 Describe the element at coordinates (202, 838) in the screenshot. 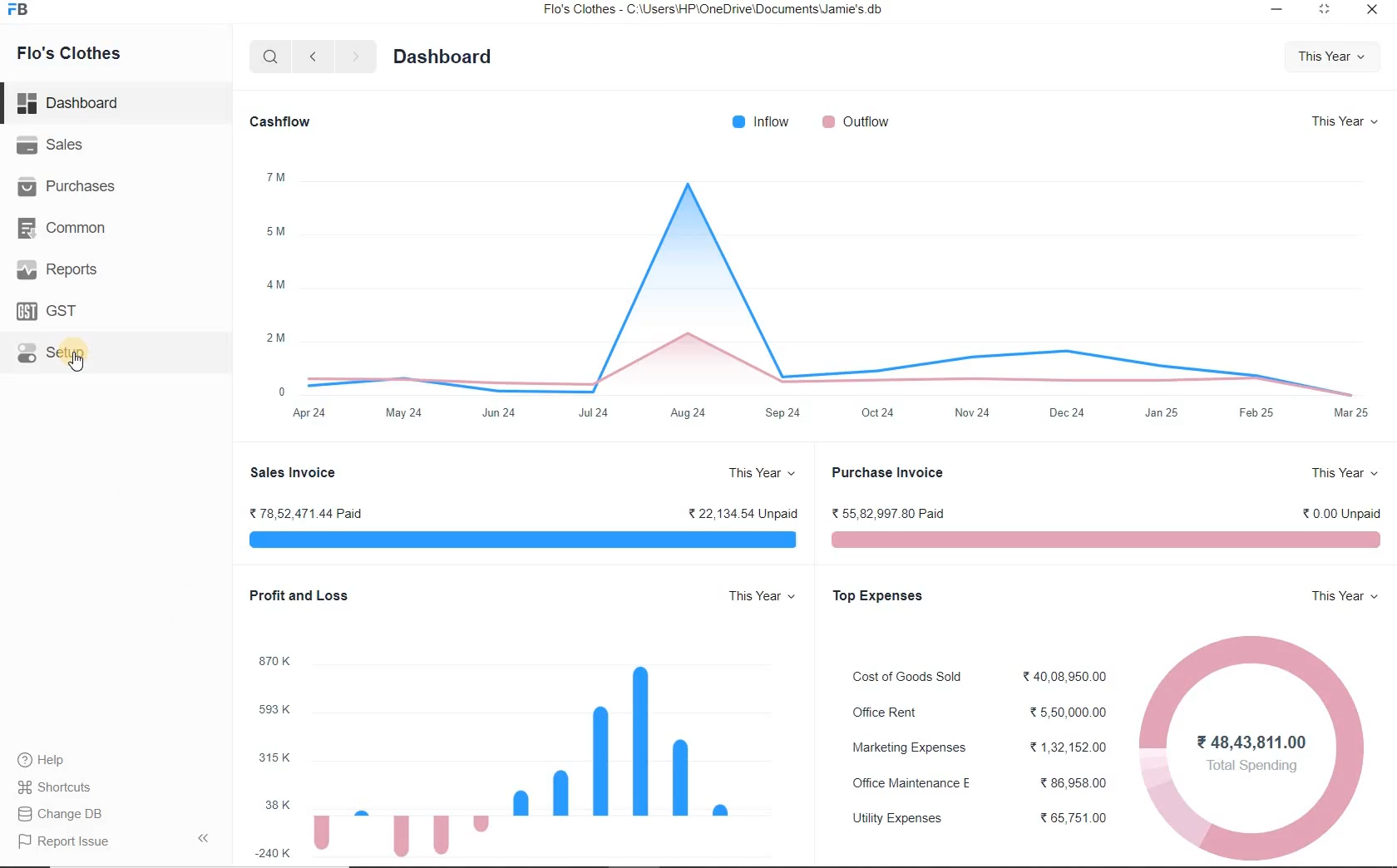

I see `Collpase` at that location.